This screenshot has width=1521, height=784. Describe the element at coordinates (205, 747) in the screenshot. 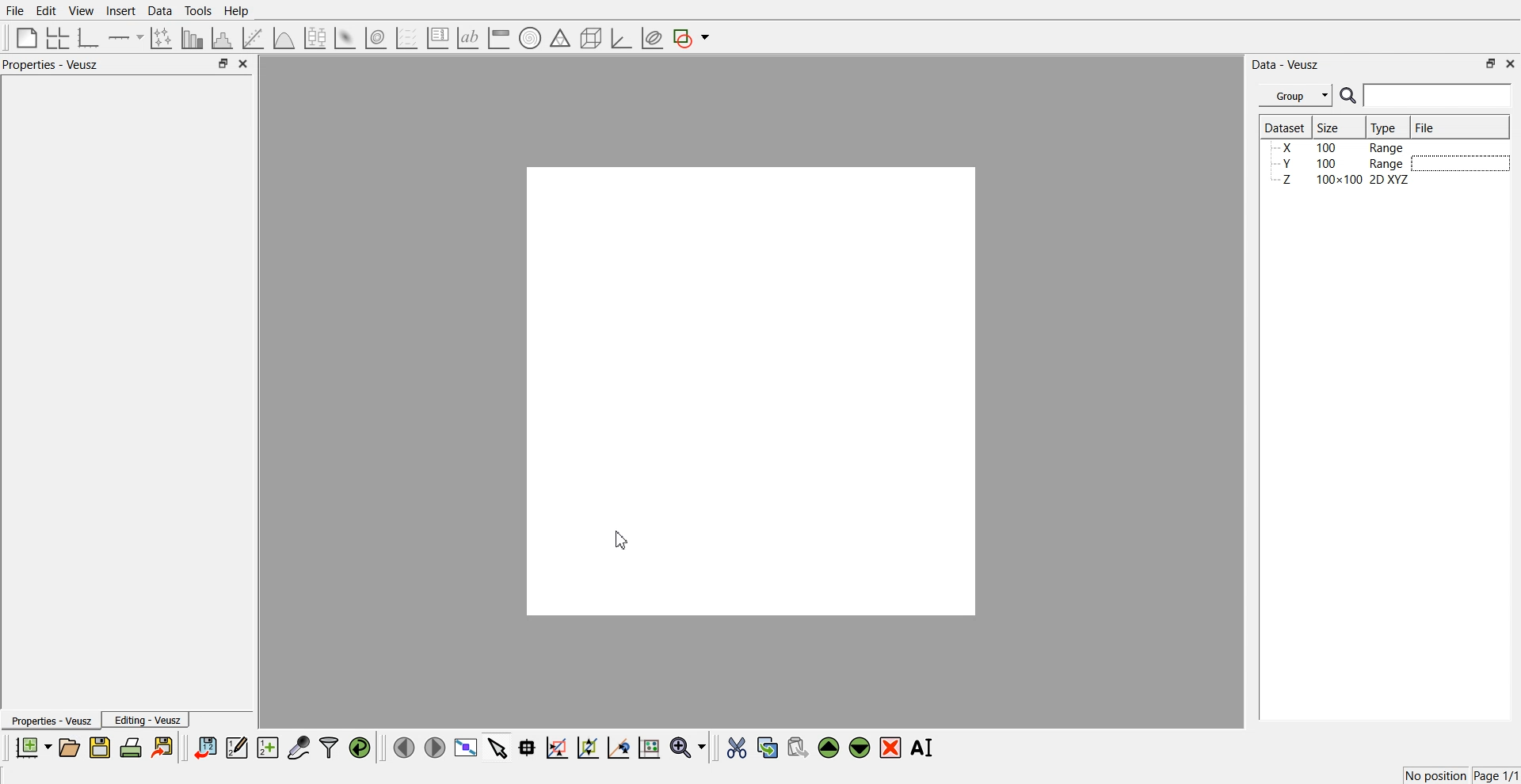

I see `Import dataset from veusz` at that location.